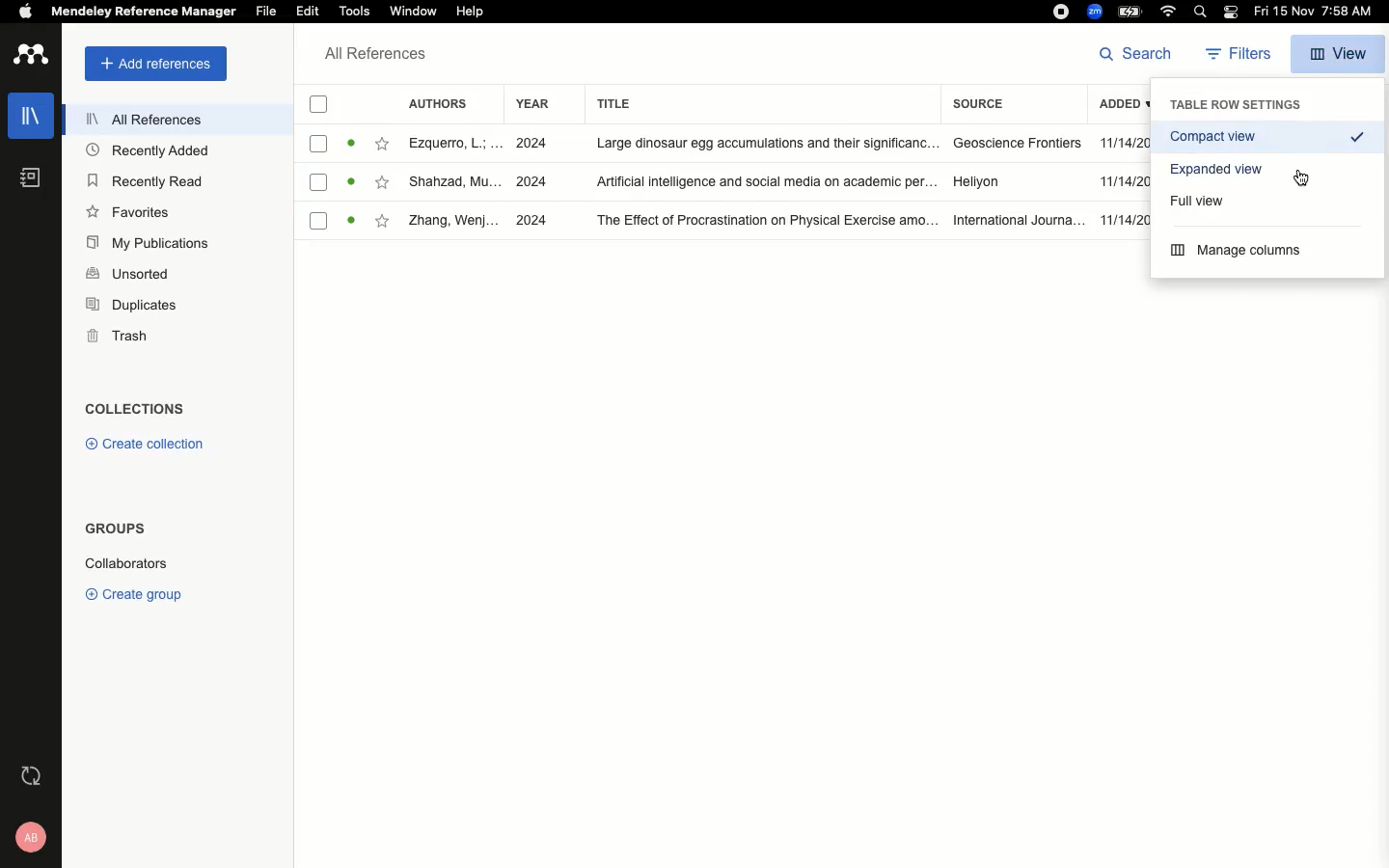 Image resolution: width=1389 pixels, height=868 pixels. I want to click on Internet, so click(1168, 13).